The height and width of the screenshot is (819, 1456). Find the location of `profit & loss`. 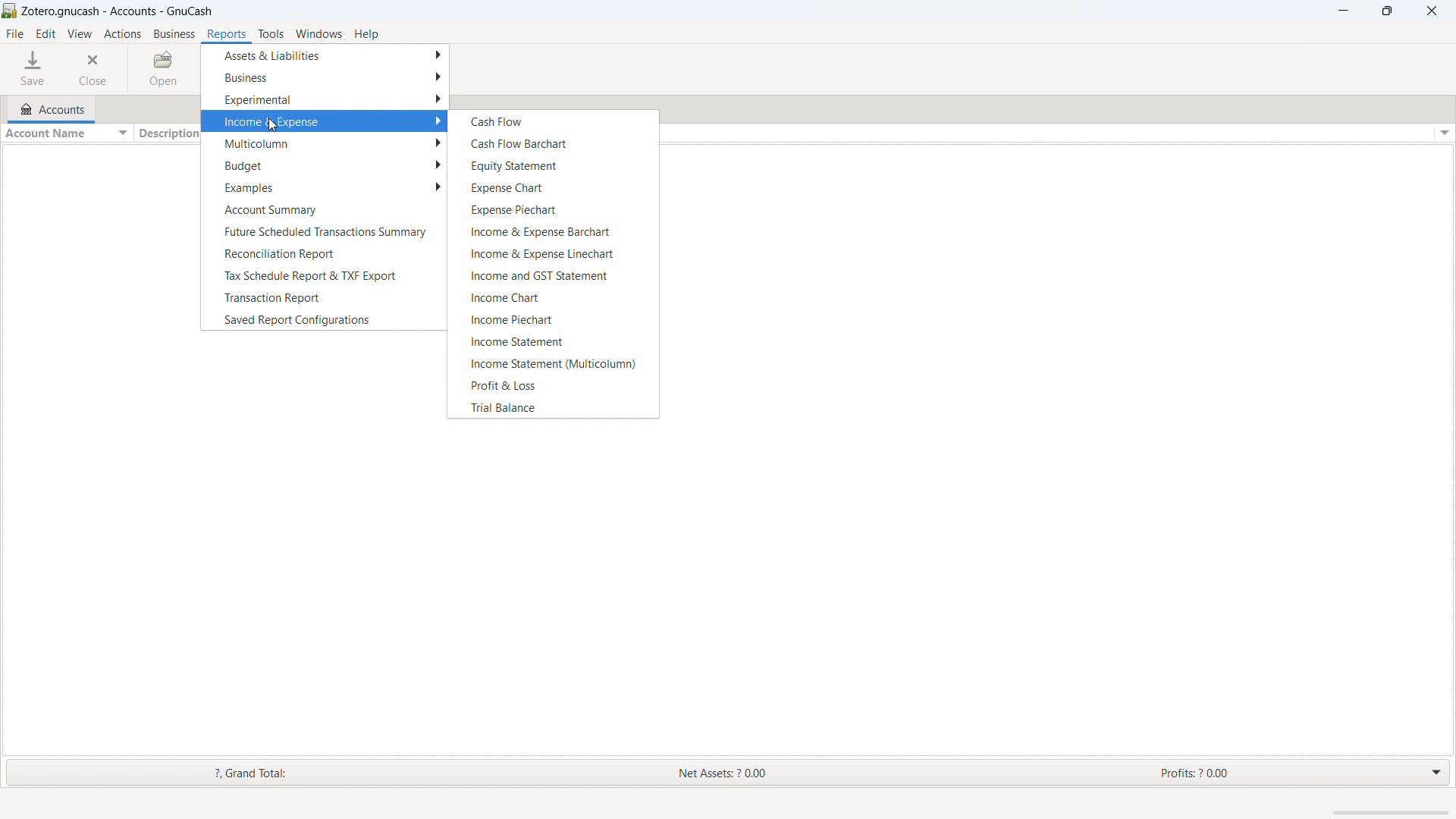

profit & loss is located at coordinates (553, 384).